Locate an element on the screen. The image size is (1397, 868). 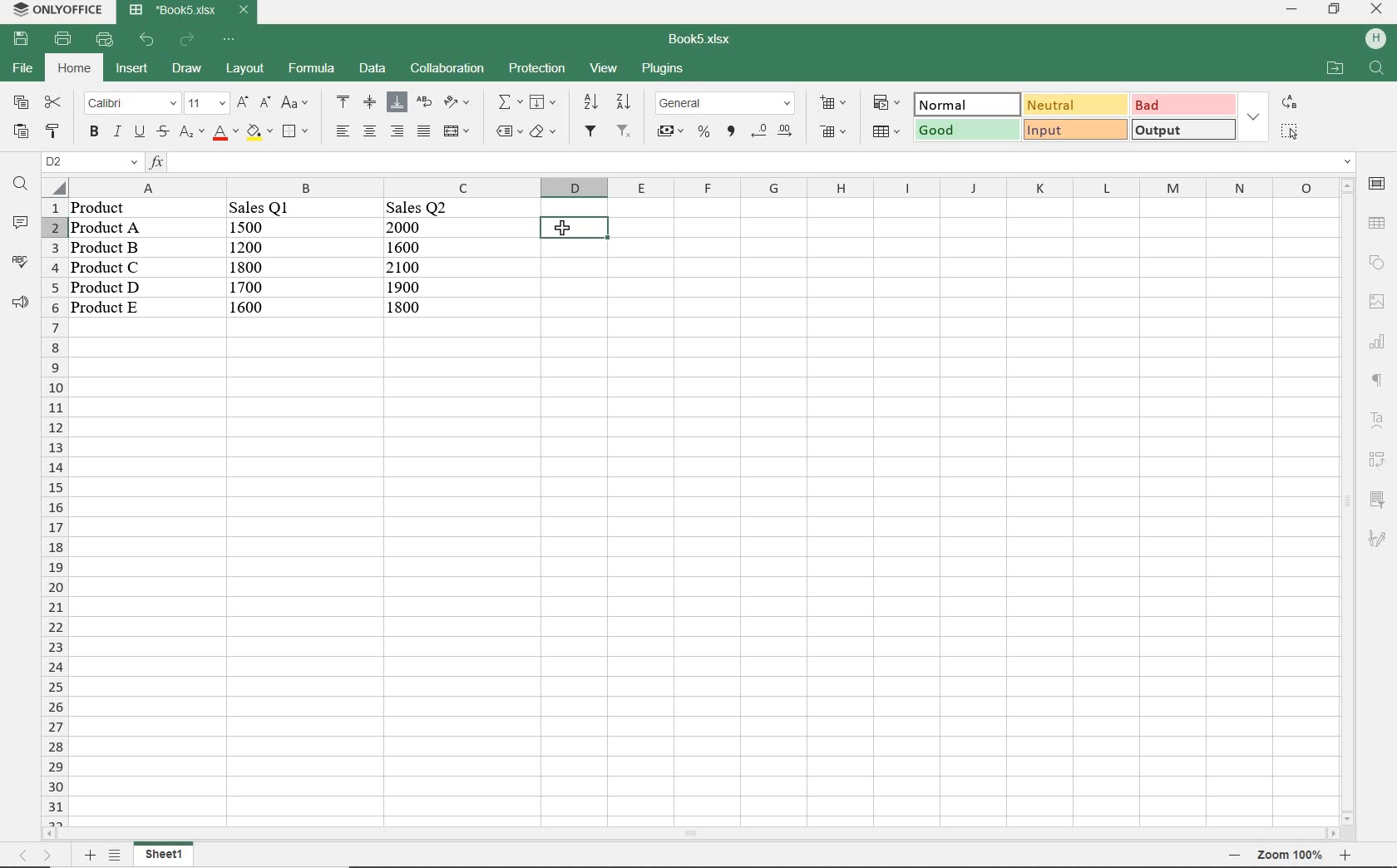
signature is located at coordinates (1377, 540).